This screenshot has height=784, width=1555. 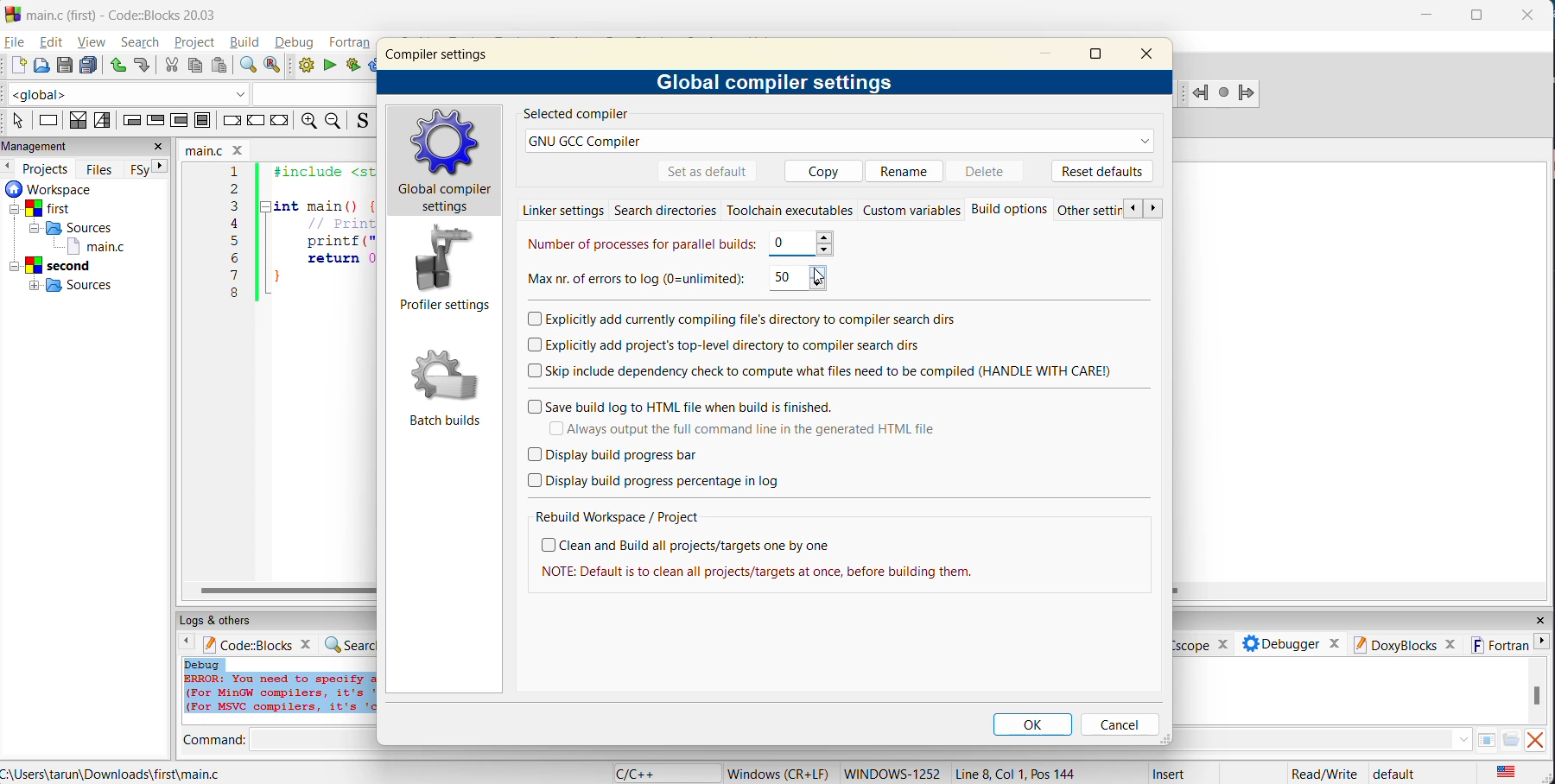 What do you see at coordinates (38, 145) in the screenshot?
I see `management` at bounding box center [38, 145].